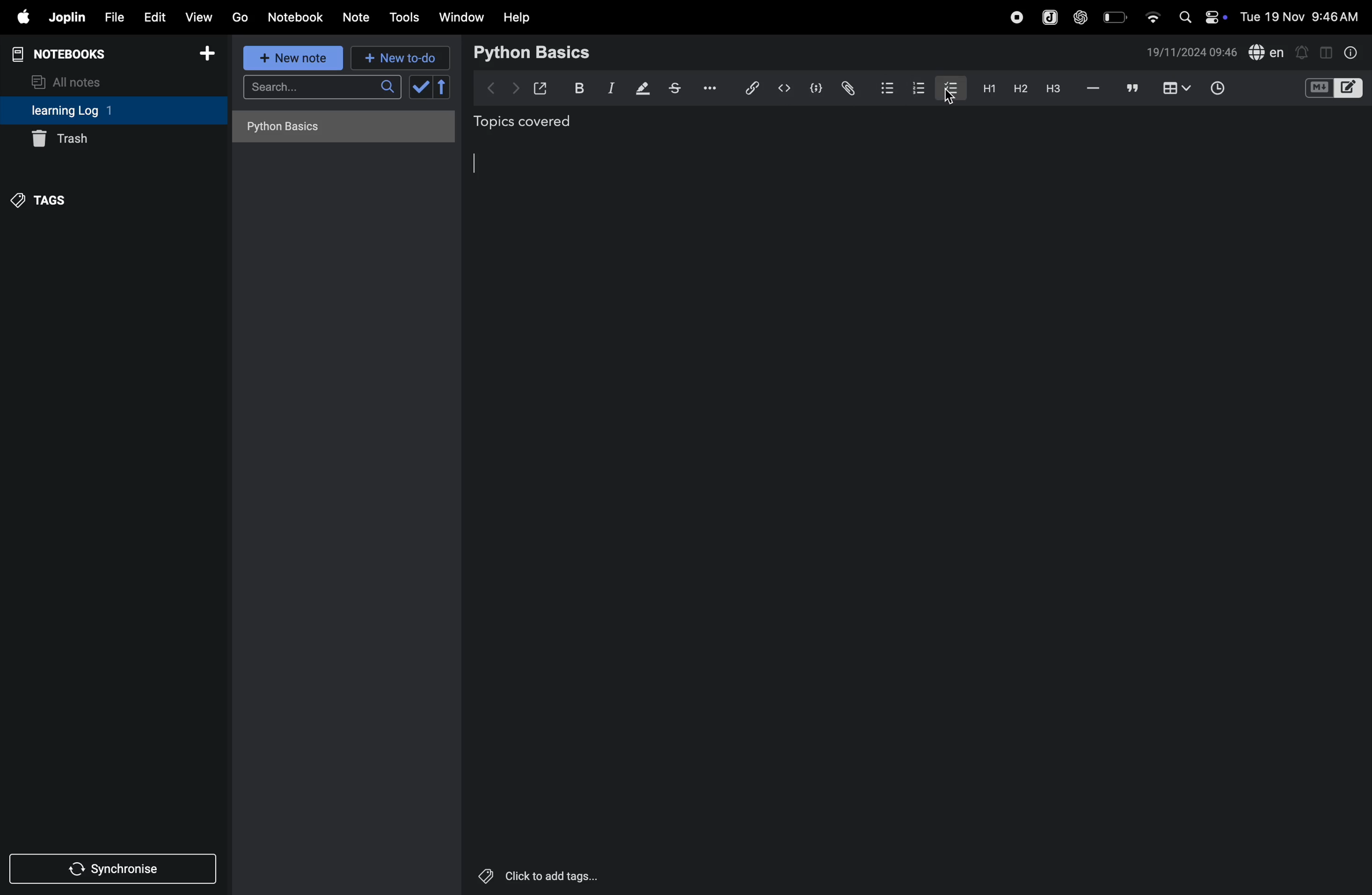 The width and height of the screenshot is (1372, 895). What do you see at coordinates (751, 88) in the screenshot?
I see `hyper link` at bounding box center [751, 88].